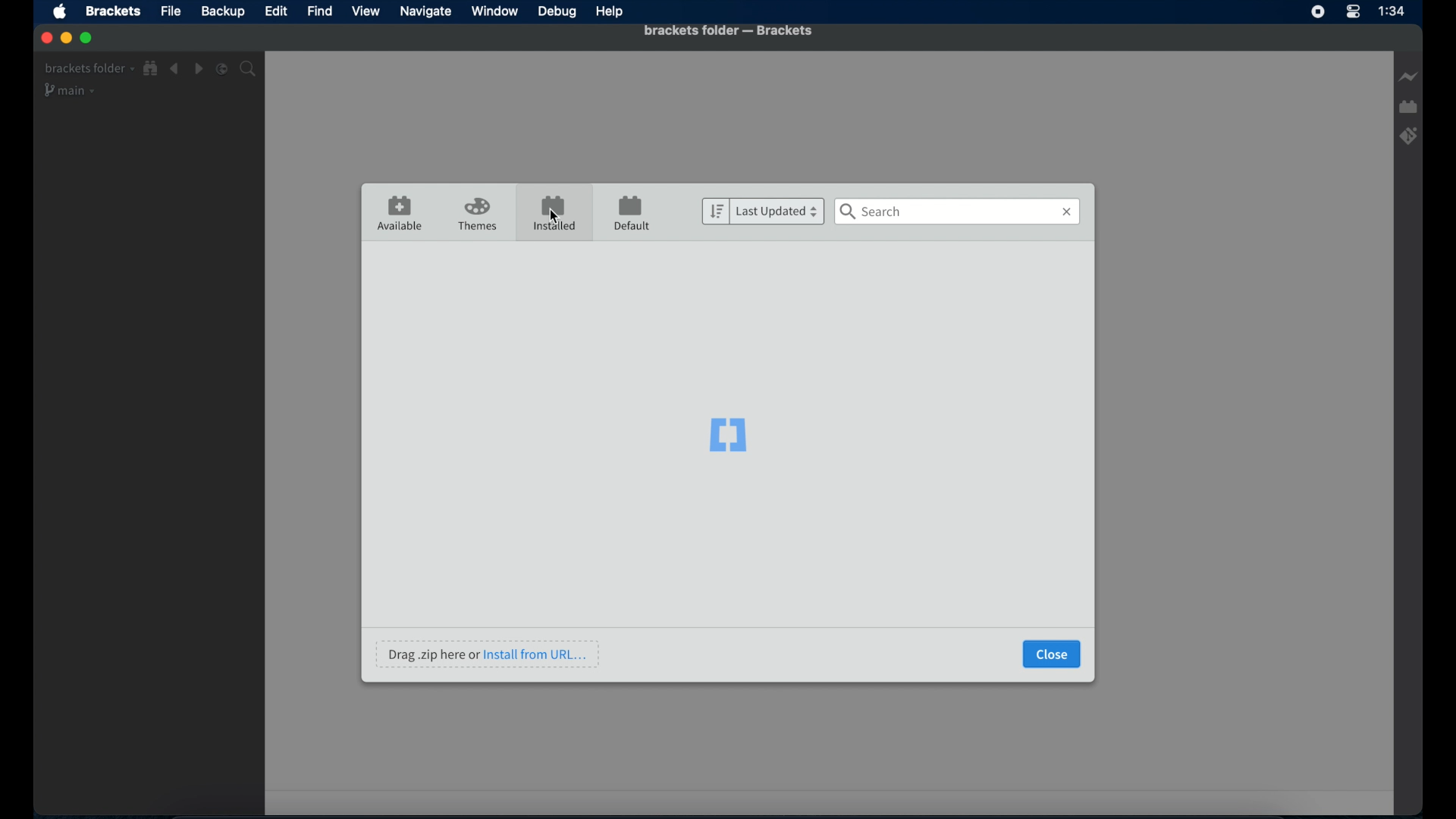 The image size is (1456, 819). Describe the element at coordinates (275, 11) in the screenshot. I see `Edit` at that location.